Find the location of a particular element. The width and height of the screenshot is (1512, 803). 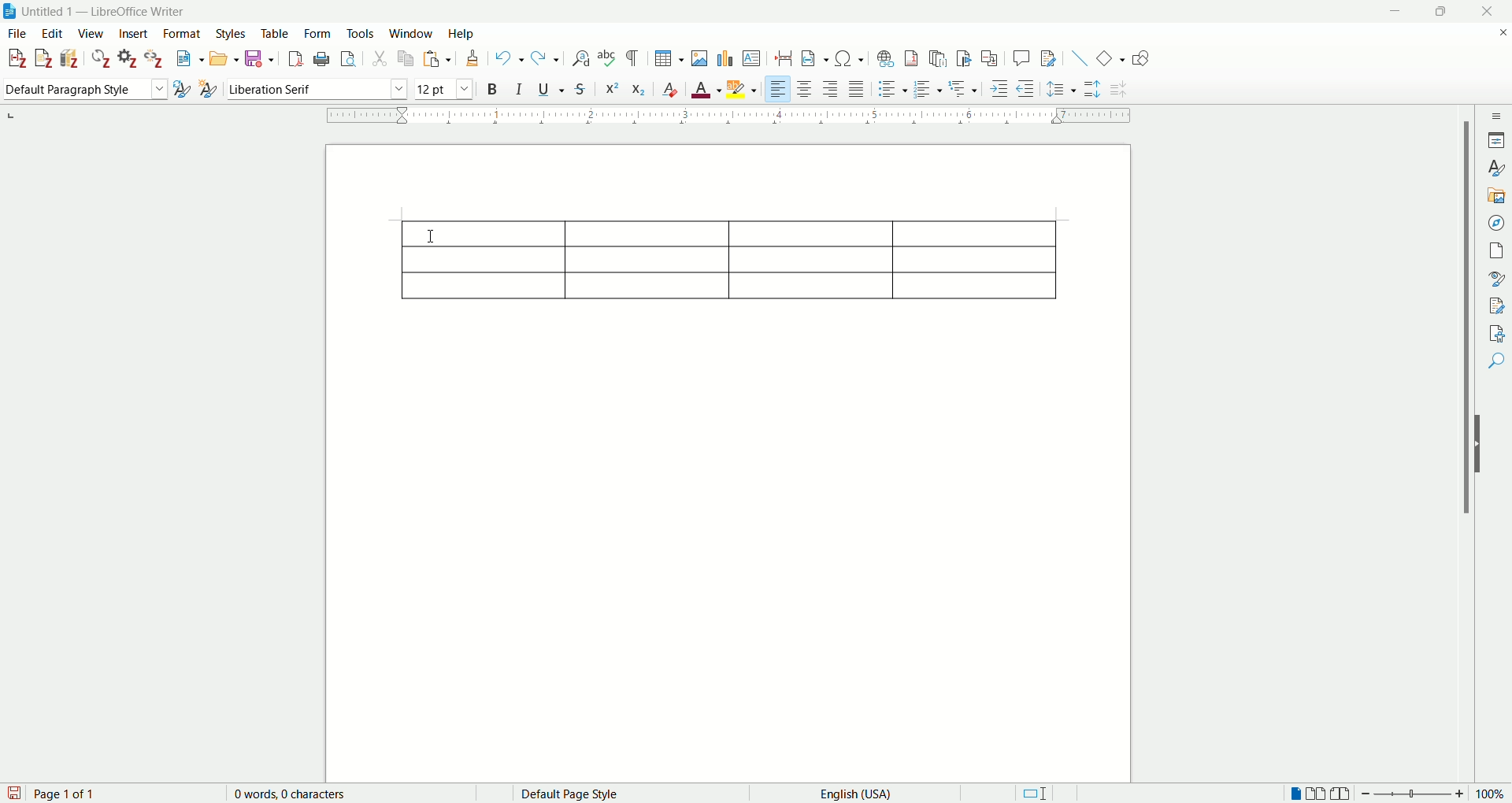

insert images is located at coordinates (699, 57).